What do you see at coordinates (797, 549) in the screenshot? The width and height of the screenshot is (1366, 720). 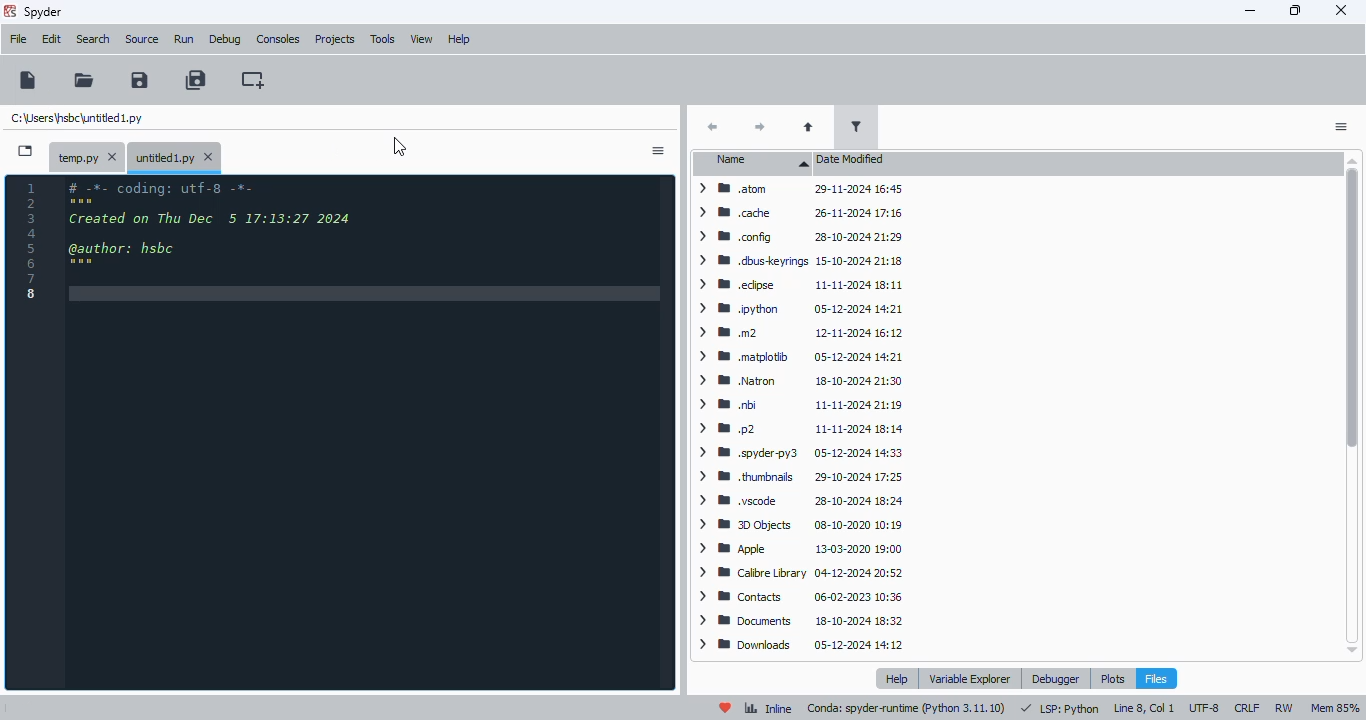 I see `> WW Apple 13-03-2020 19:00` at bounding box center [797, 549].